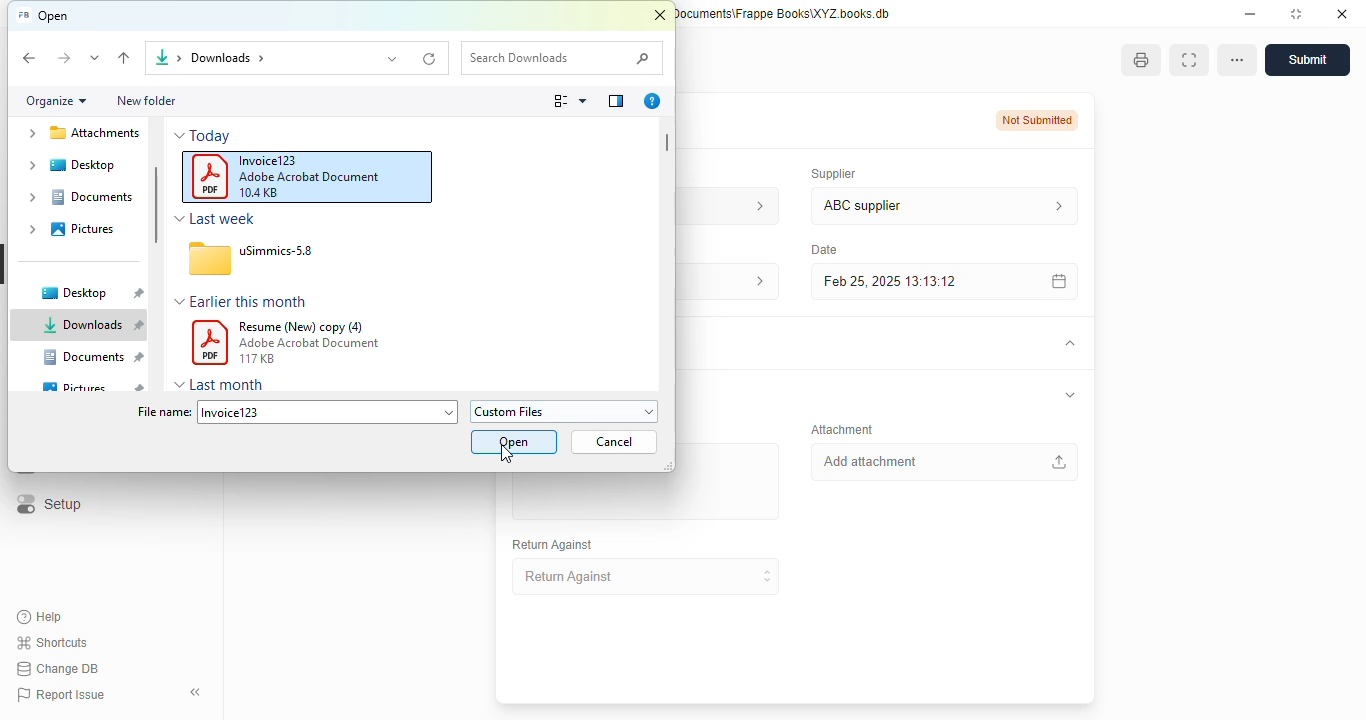 The height and width of the screenshot is (720, 1366). Describe the element at coordinates (63, 59) in the screenshot. I see `forward` at that location.